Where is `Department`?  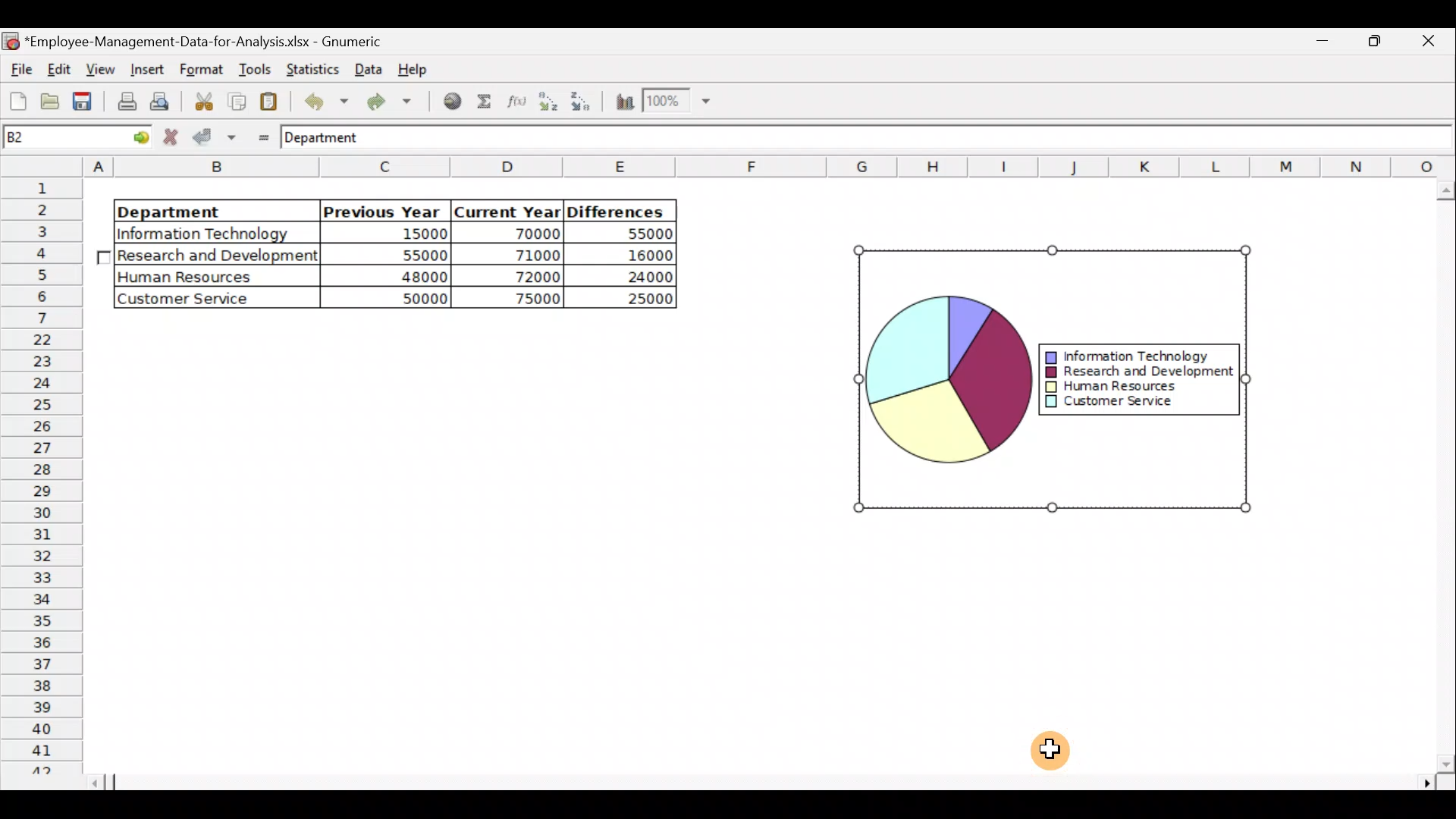 Department is located at coordinates (206, 211).